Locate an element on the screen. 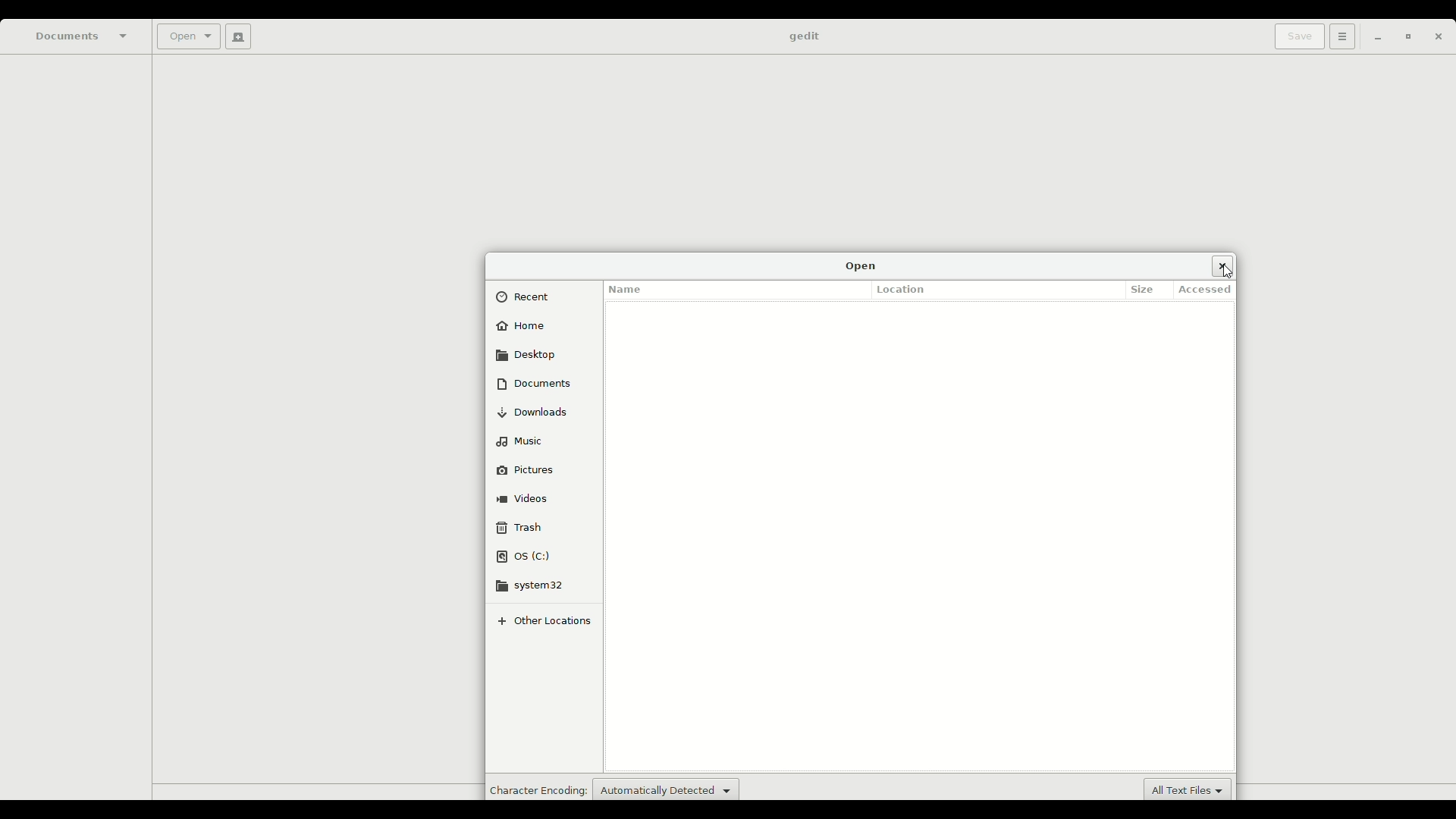 This screenshot has height=819, width=1456. Other locations is located at coordinates (549, 620).